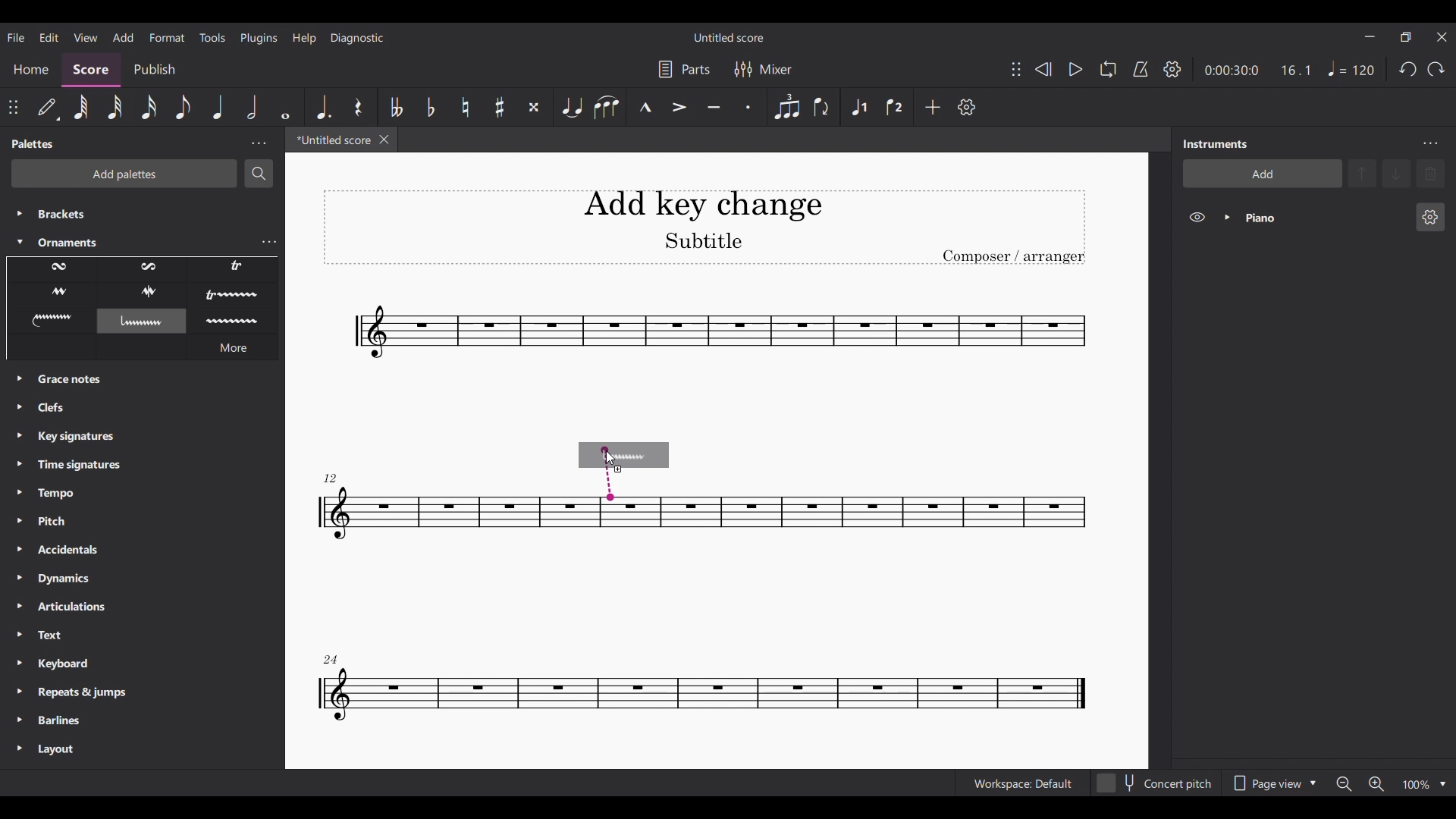 The image size is (1456, 819). Describe the element at coordinates (608, 473) in the screenshot. I see `Determining attachment note` at that location.